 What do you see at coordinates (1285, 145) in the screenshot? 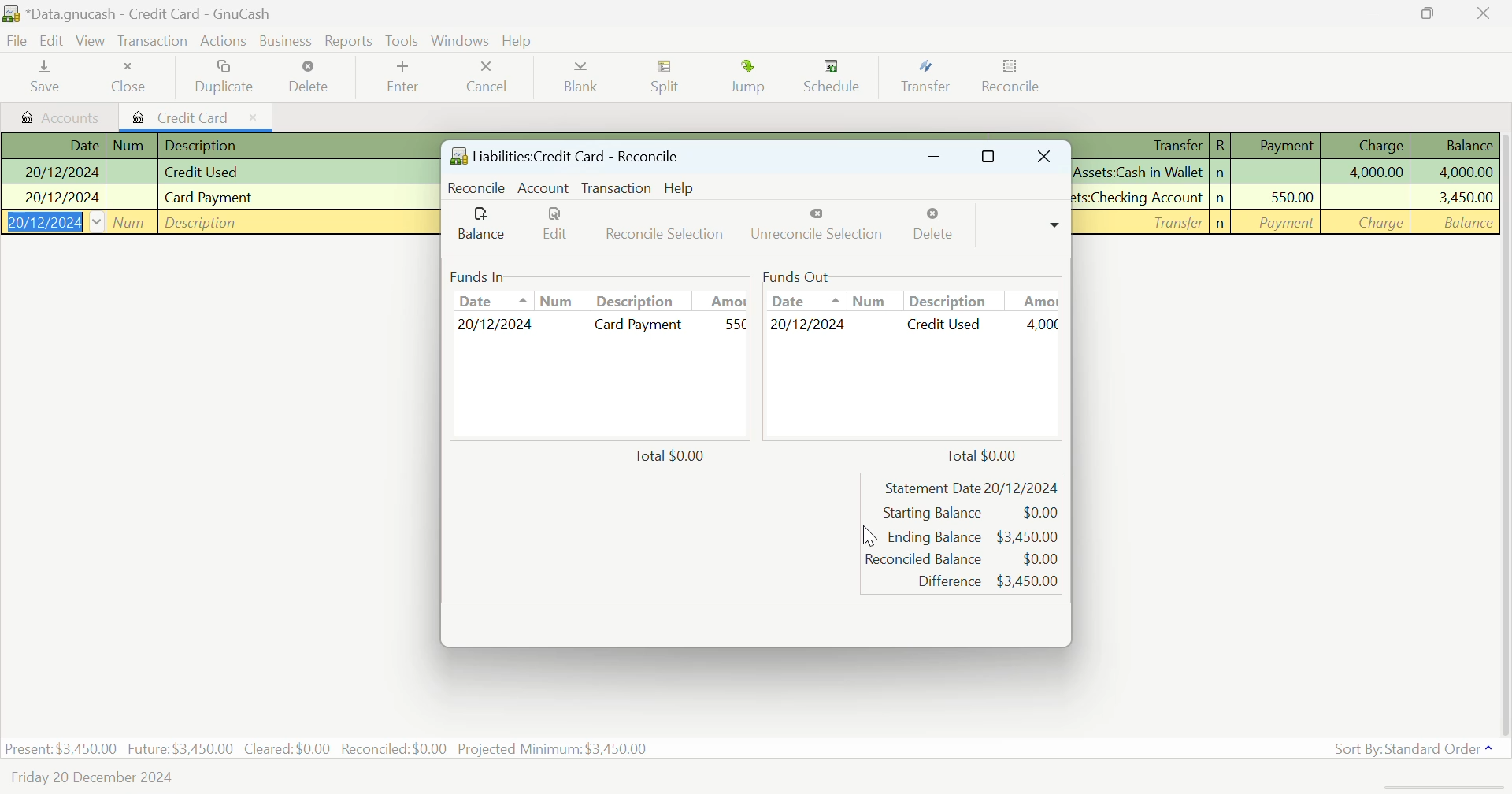
I see `Transaction Details Column Headings` at bounding box center [1285, 145].